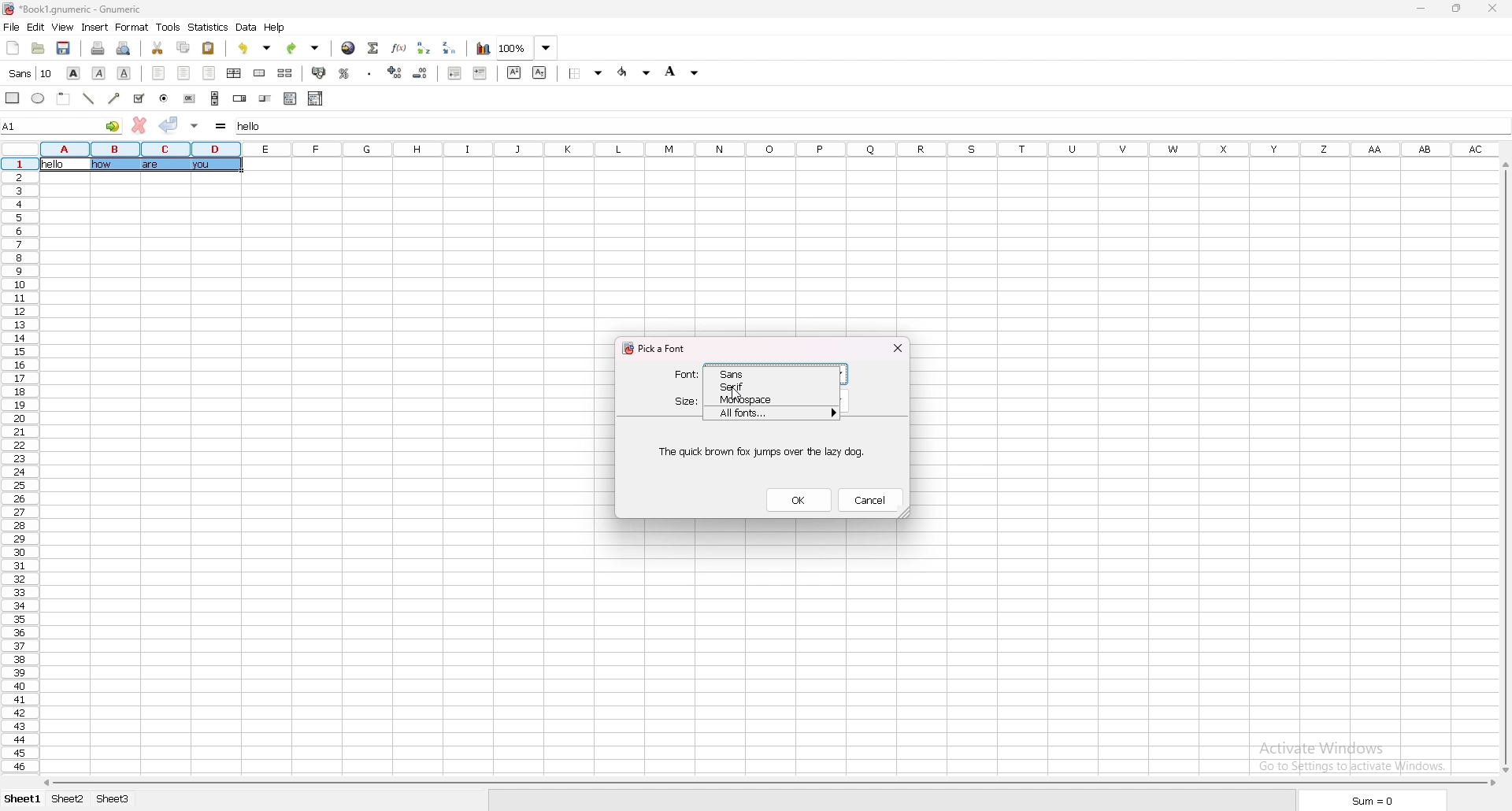  I want to click on scroll bar, so click(1504, 466).